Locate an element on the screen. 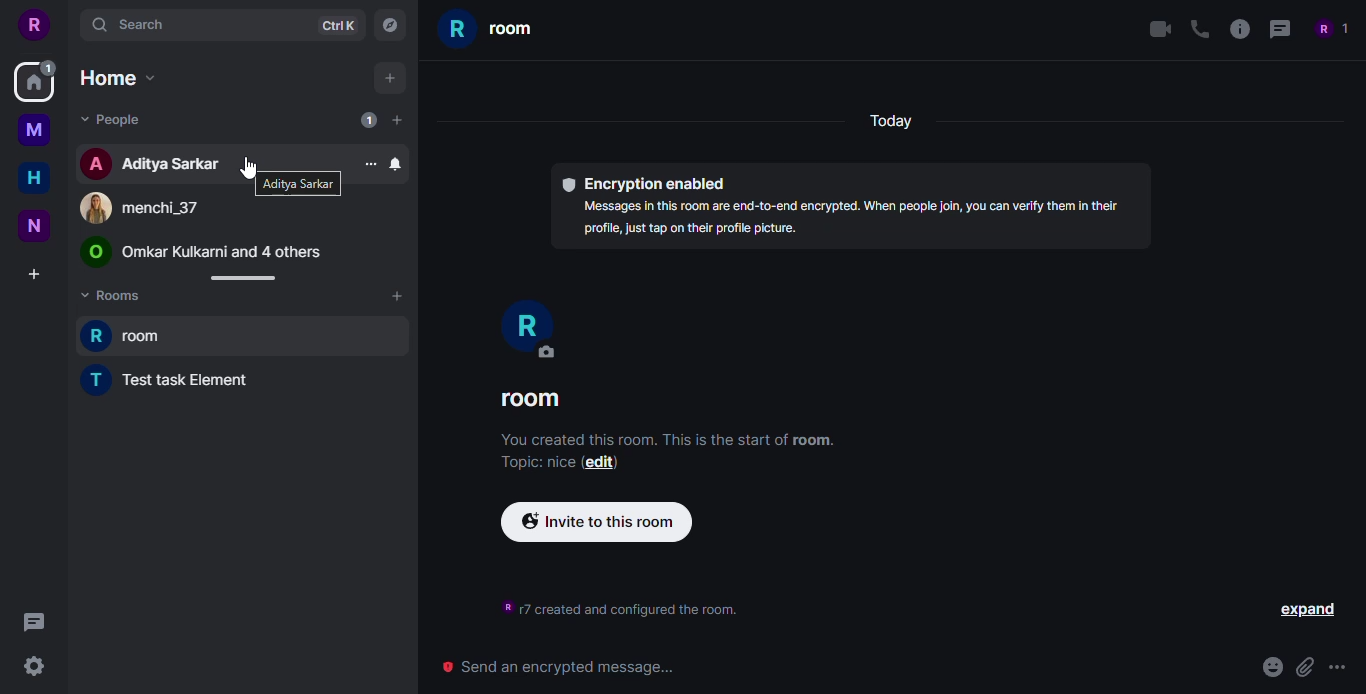 This screenshot has width=1366, height=694. invite to this room is located at coordinates (596, 522).